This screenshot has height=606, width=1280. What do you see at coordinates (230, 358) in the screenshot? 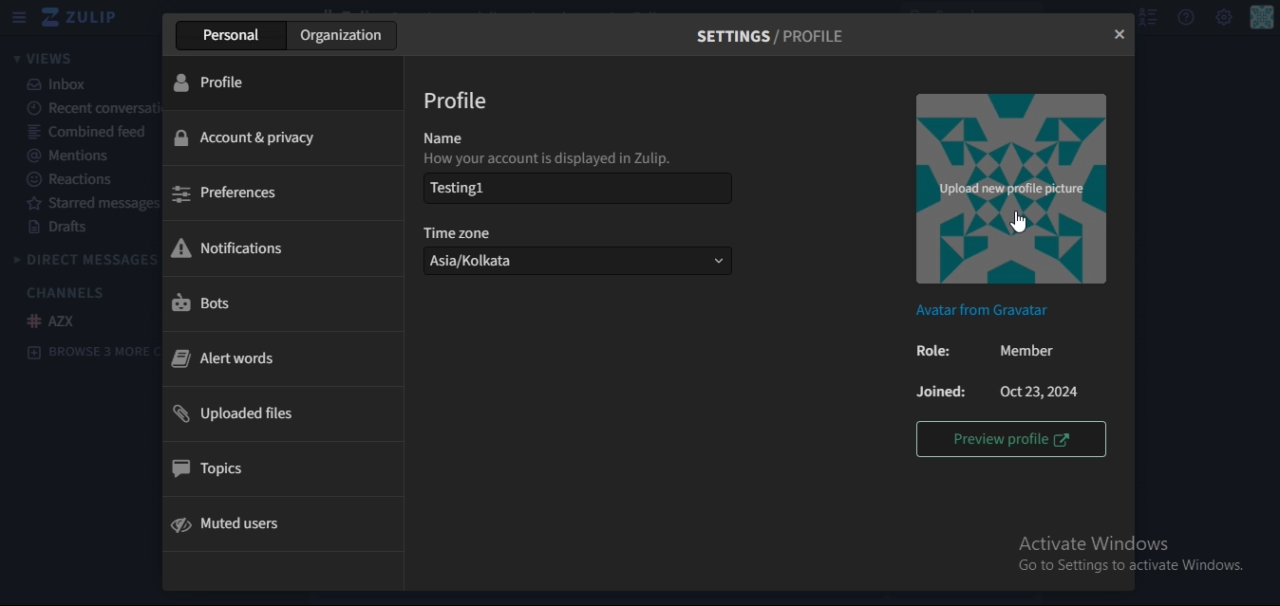
I see `alert words` at bounding box center [230, 358].